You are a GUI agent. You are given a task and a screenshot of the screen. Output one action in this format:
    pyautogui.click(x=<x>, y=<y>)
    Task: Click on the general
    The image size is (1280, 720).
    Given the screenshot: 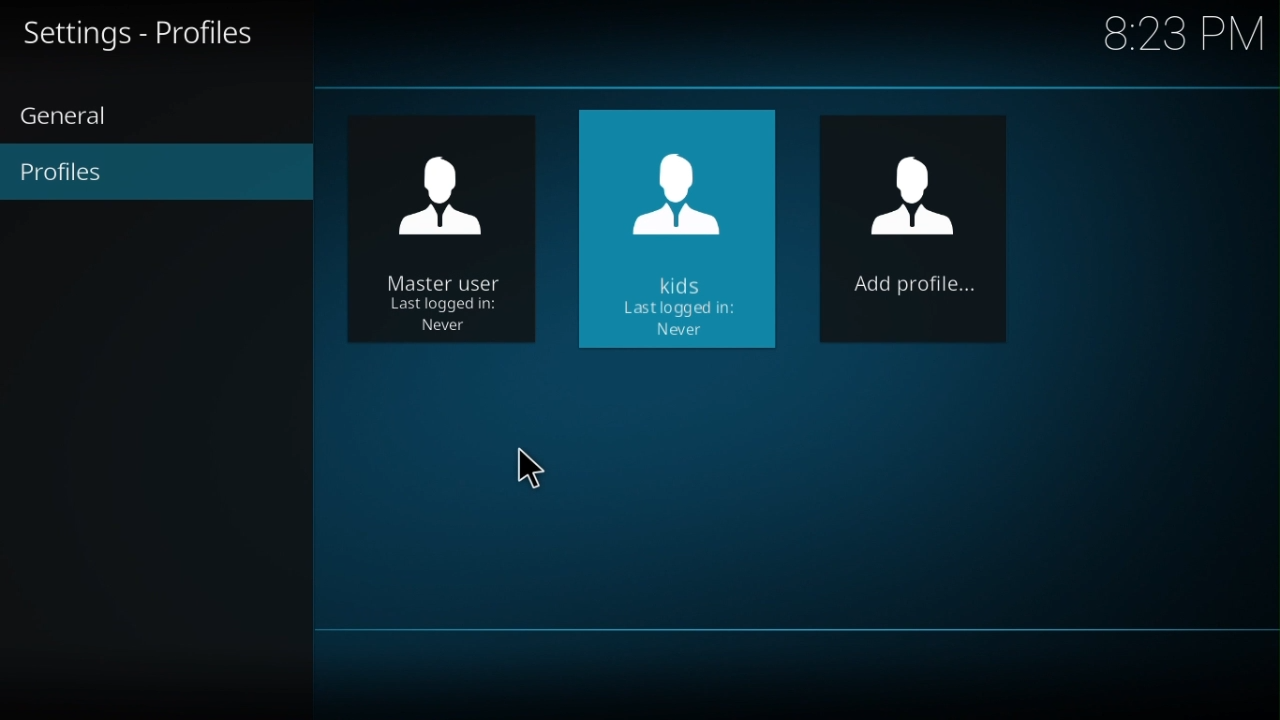 What is the action you would take?
    pyautogui.click(x=64, y=114)
    